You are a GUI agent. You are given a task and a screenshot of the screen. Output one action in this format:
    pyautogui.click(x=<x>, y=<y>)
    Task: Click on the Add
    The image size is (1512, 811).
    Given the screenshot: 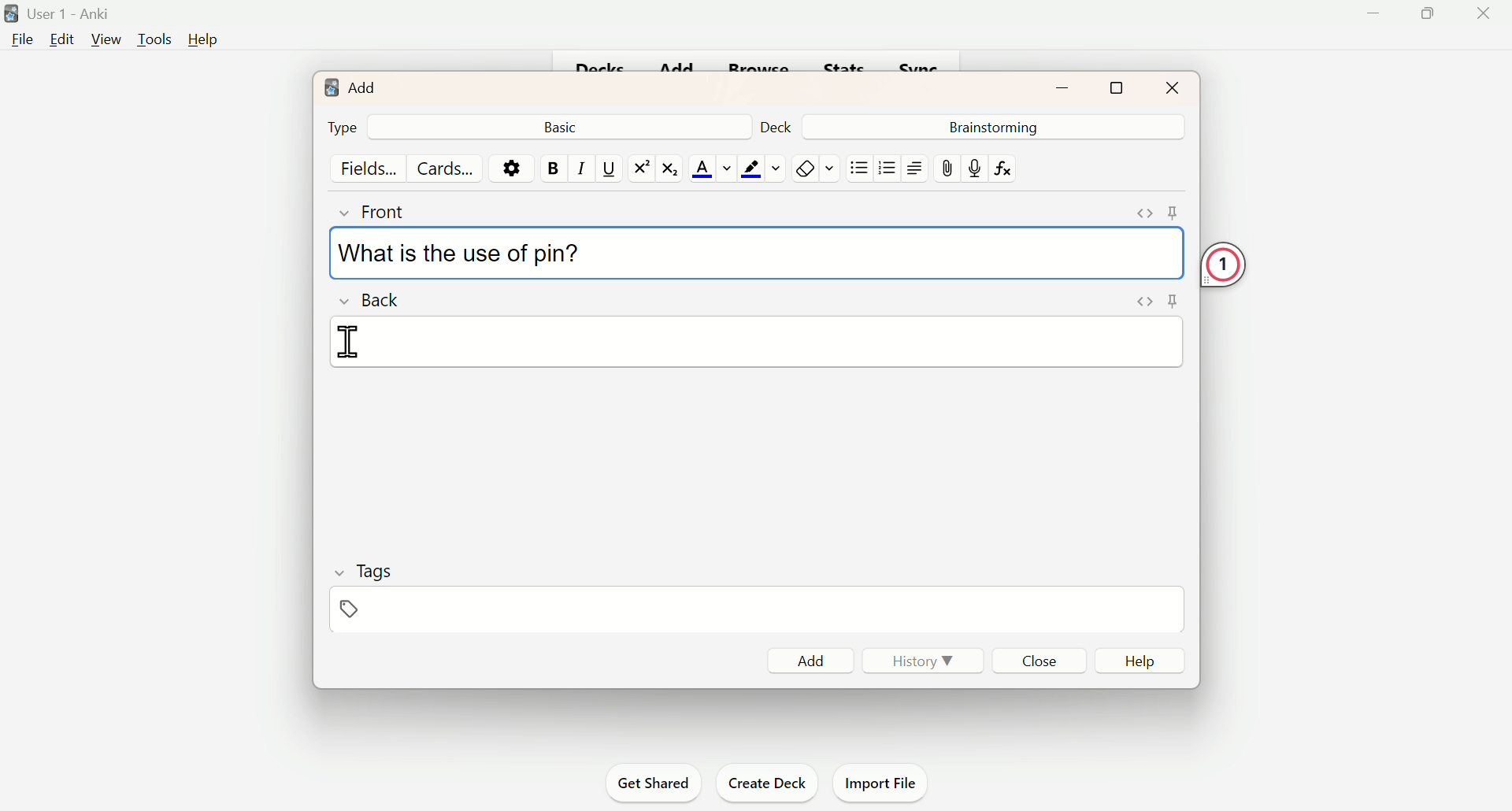 What is the action you would take?
    pyautogui.click(x=811, y=660)
    